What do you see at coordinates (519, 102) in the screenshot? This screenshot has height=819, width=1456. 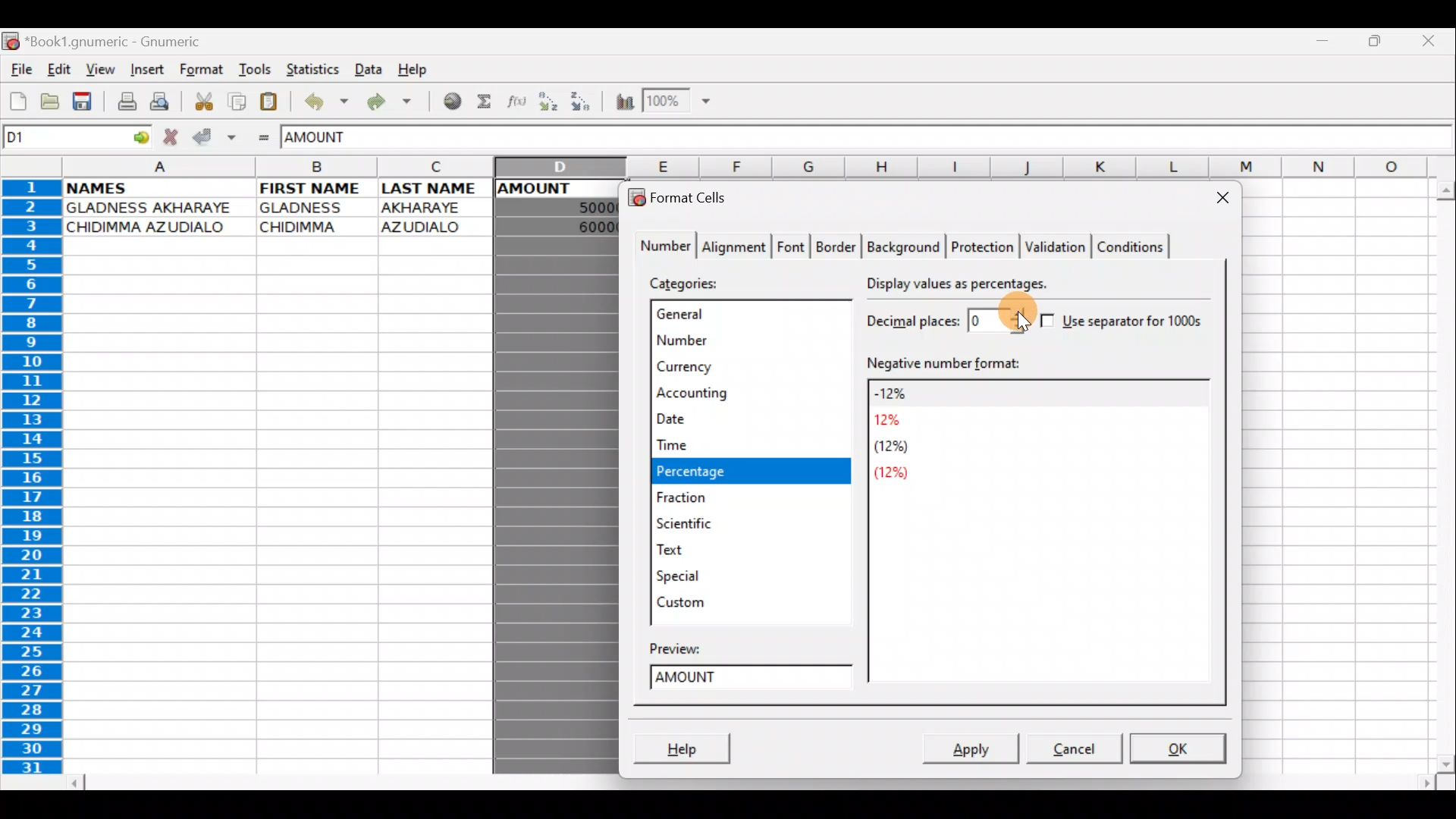 I see `Edit function in the current cell` at bounding box center [519, 102].